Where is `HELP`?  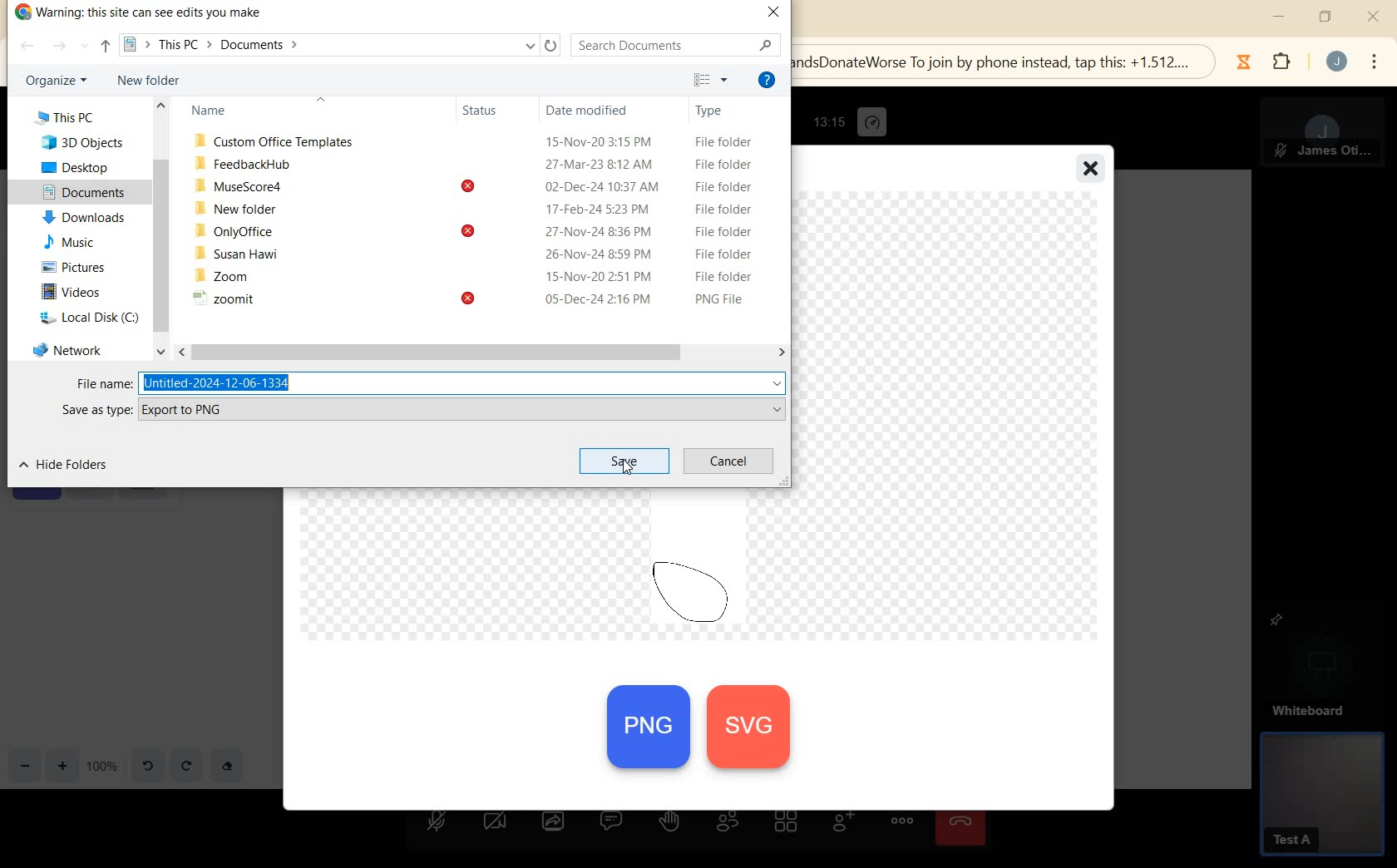
HELP is located at coordinates (769, 79).